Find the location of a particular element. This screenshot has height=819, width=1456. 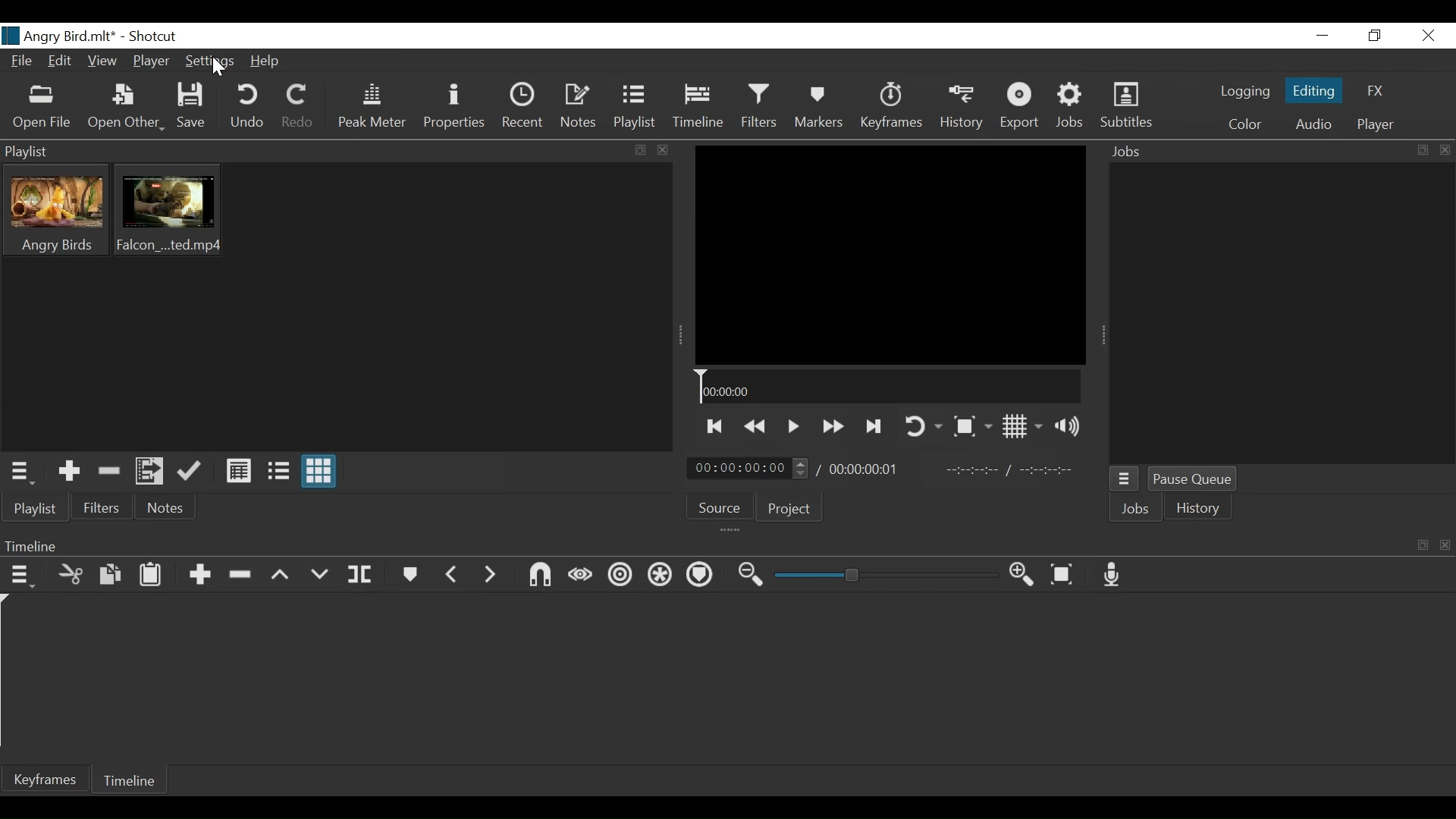

Snap is located at coordinates (536, 575).